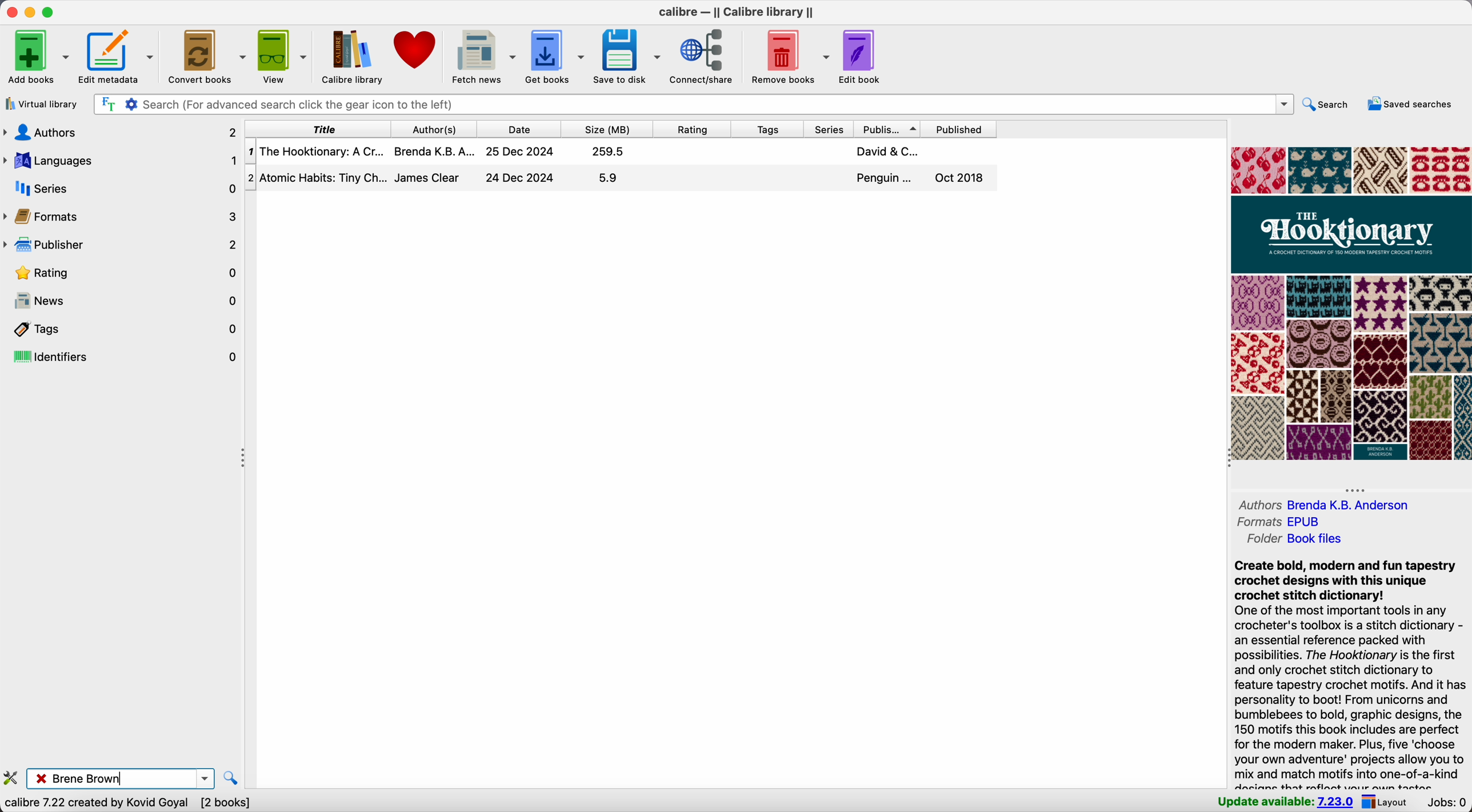 The image size is (1472, 812). I want to click on series, so click(829, 129).